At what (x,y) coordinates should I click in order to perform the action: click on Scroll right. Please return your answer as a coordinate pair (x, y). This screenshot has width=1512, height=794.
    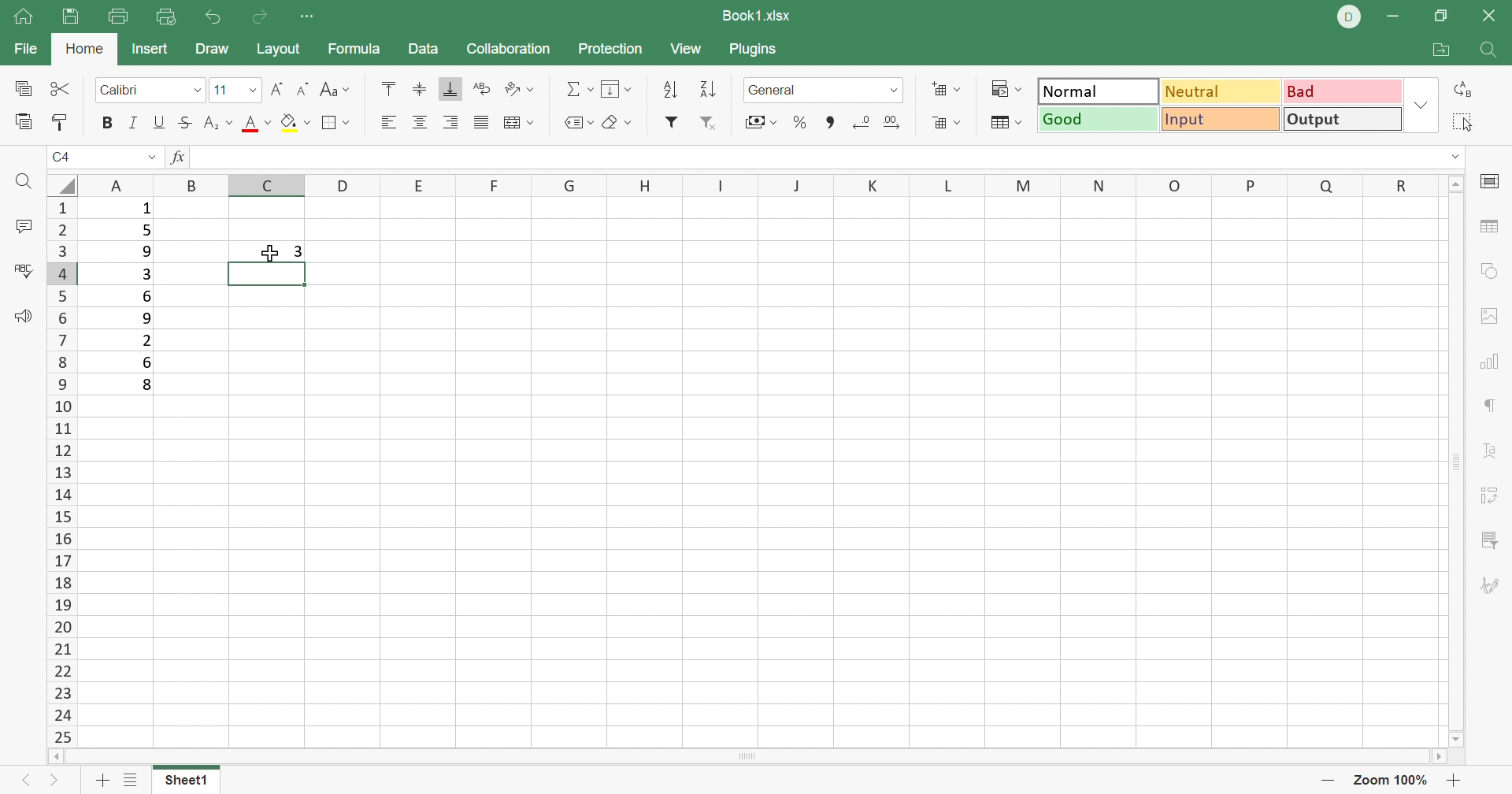
    Looking at the image, I should click on (1441, 756).